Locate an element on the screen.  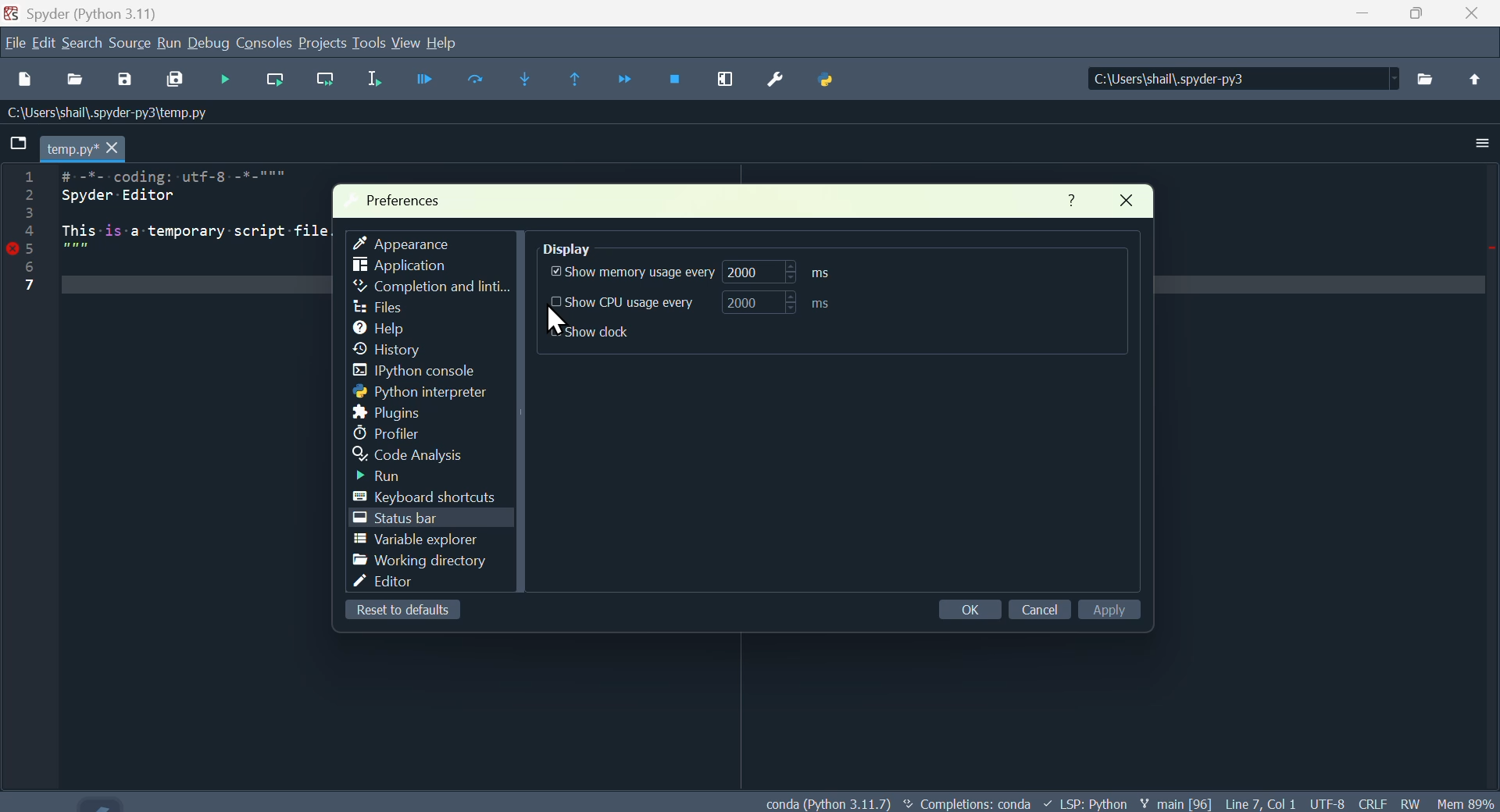
New file is located at coordinates (31, 79).